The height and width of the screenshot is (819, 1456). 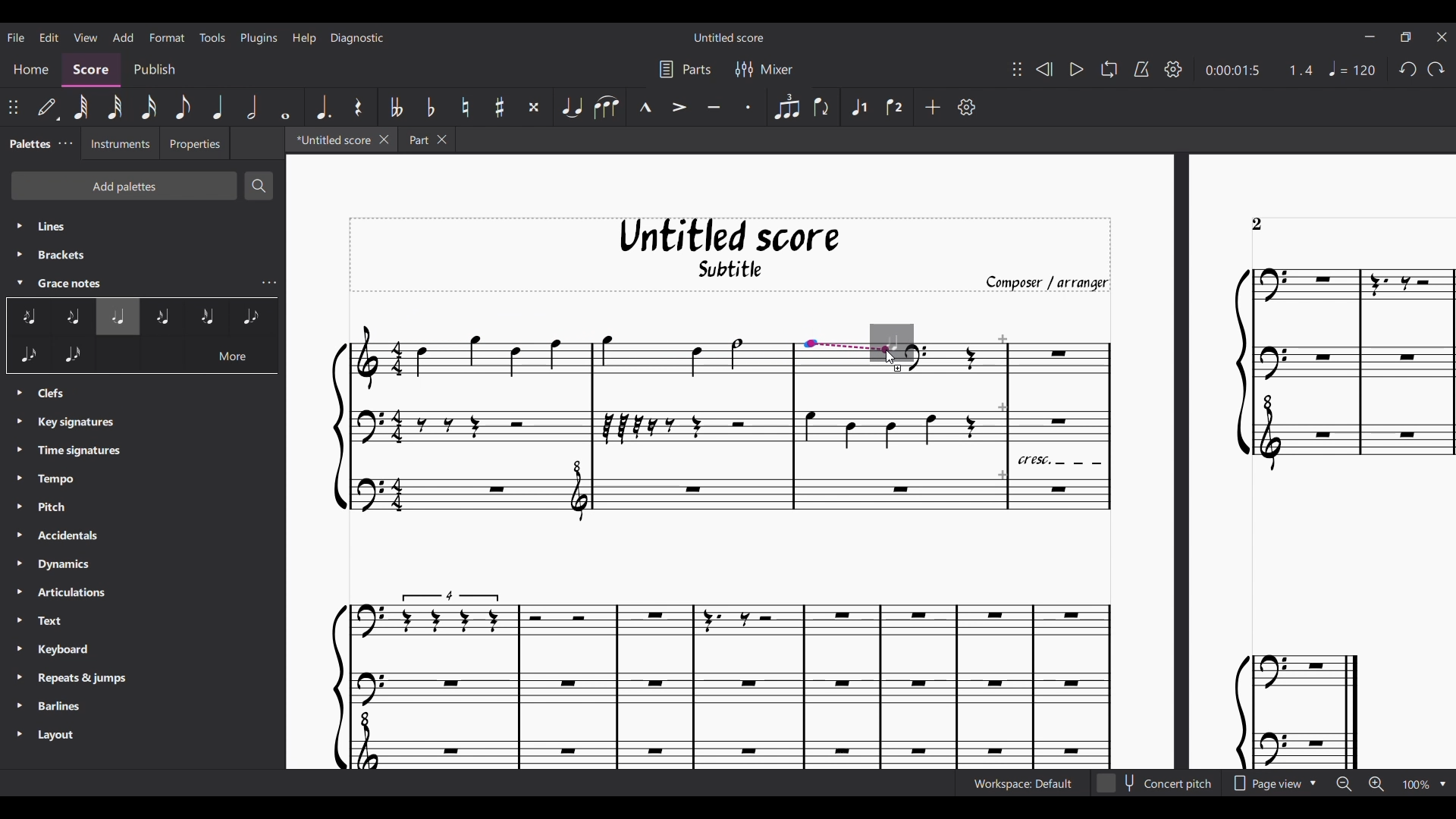 What do you see at coordinates (644, 107) in the screenshot?
I see `Marcato` at bounding box center [644, 107].